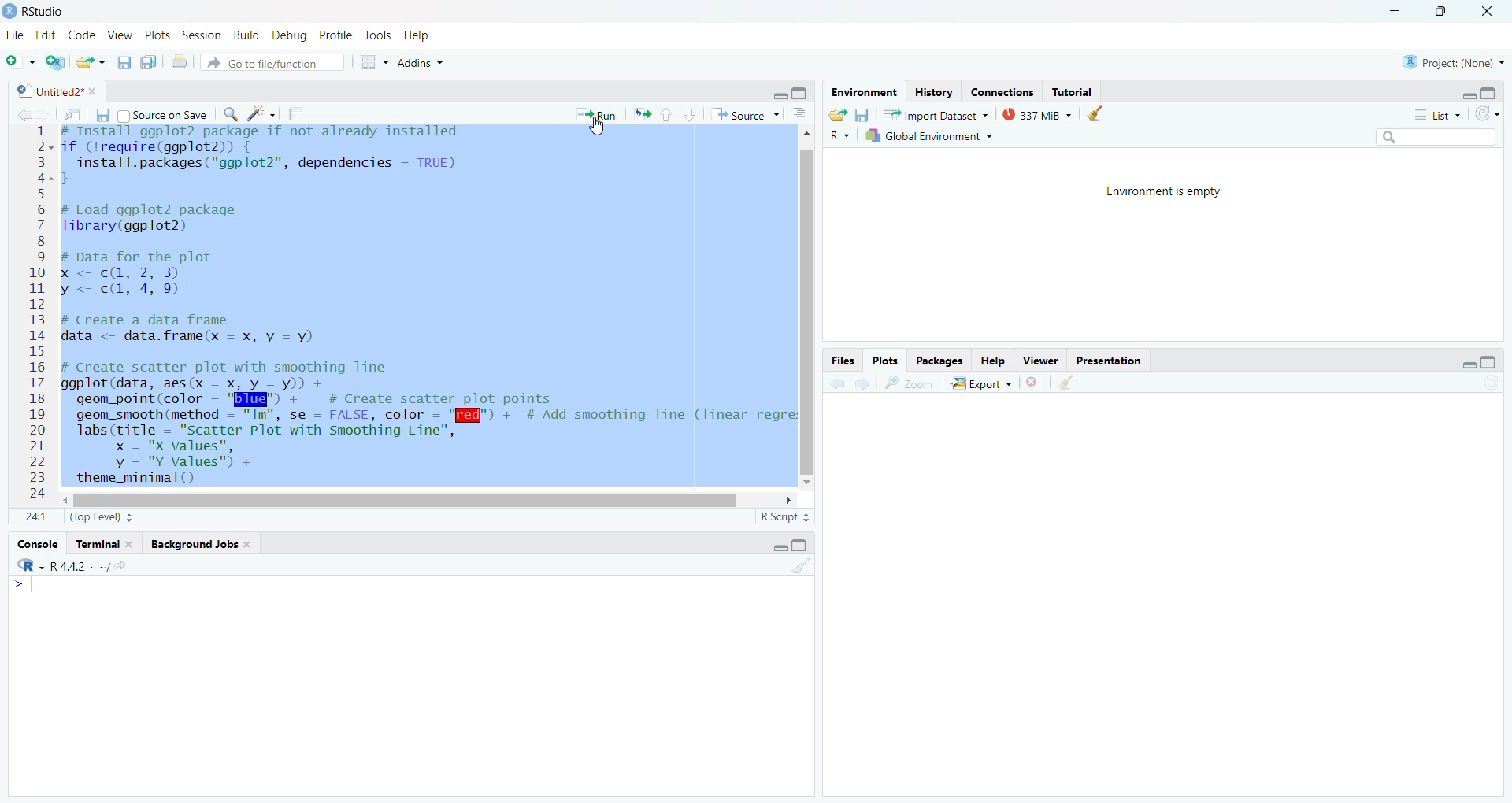  What do you see at coordinates (861, 92) in the screenshot?
I see `Environment` at bounding box center [861, 92].